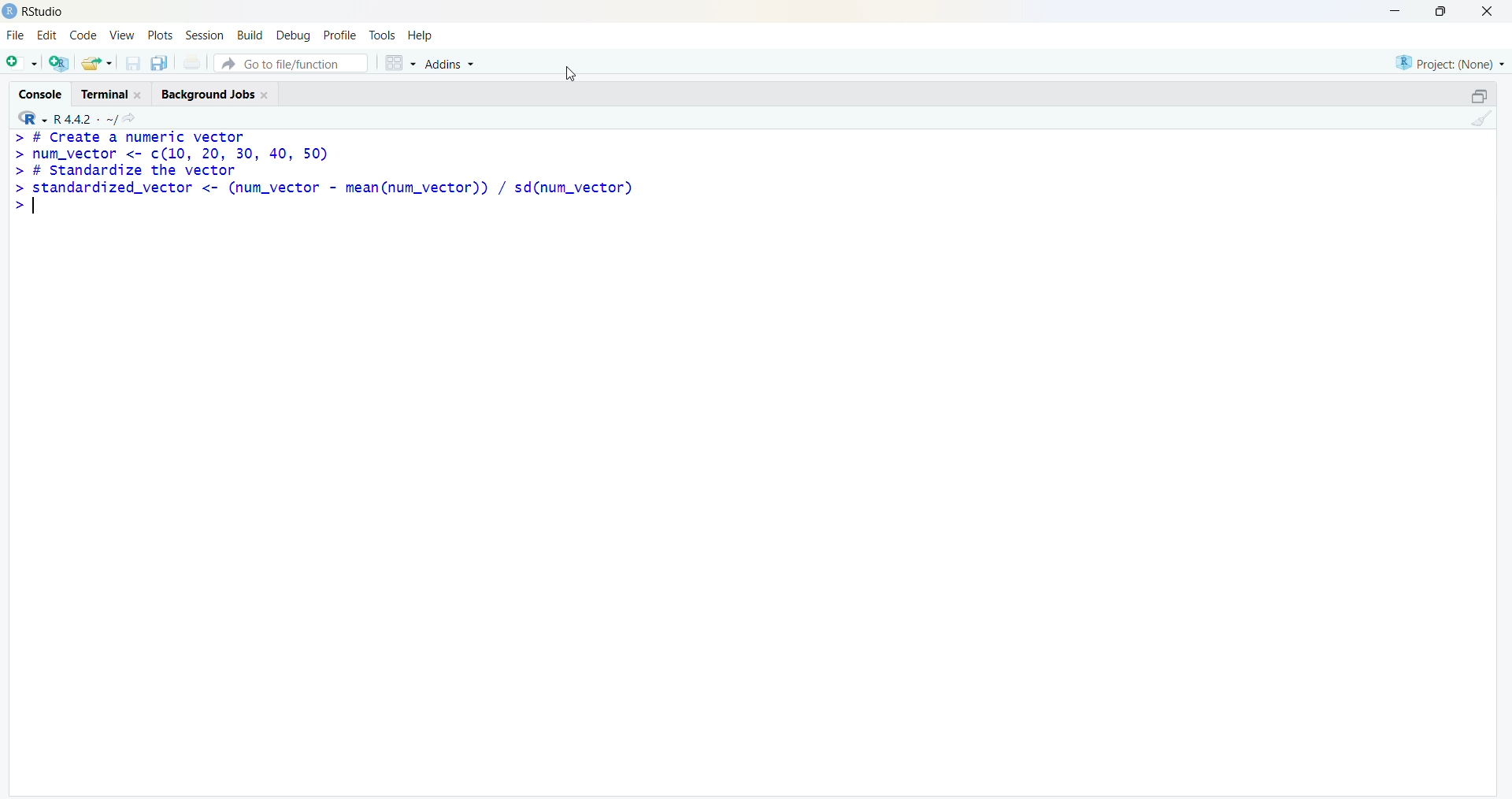  Describe the element at coordinates (1441, 10) in the screenshot. I see `maximise` at that location.